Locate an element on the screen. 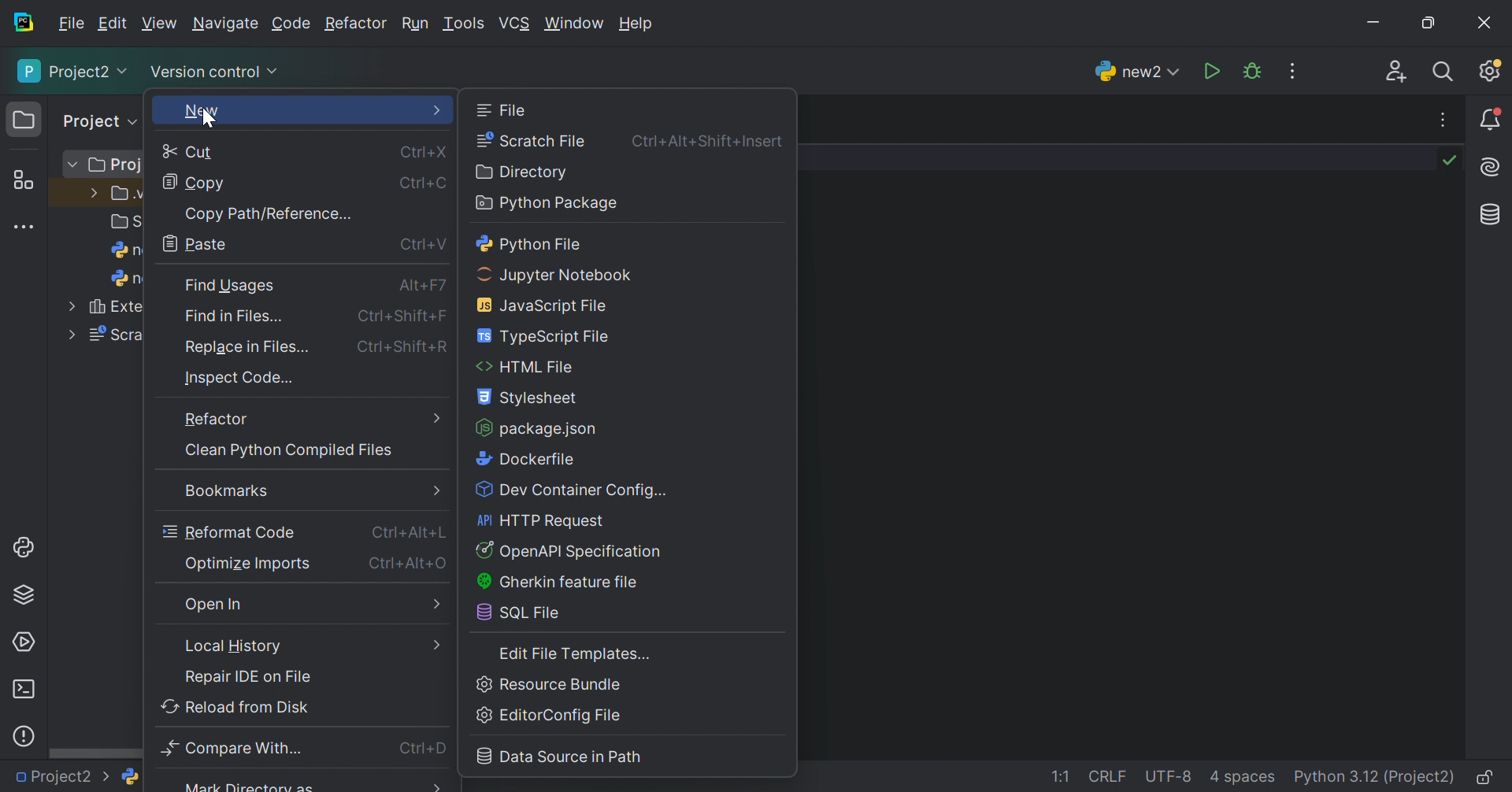 Image resolution: width=1512 pixels, height=792 pixels. View is located at coordinates (160, 25).